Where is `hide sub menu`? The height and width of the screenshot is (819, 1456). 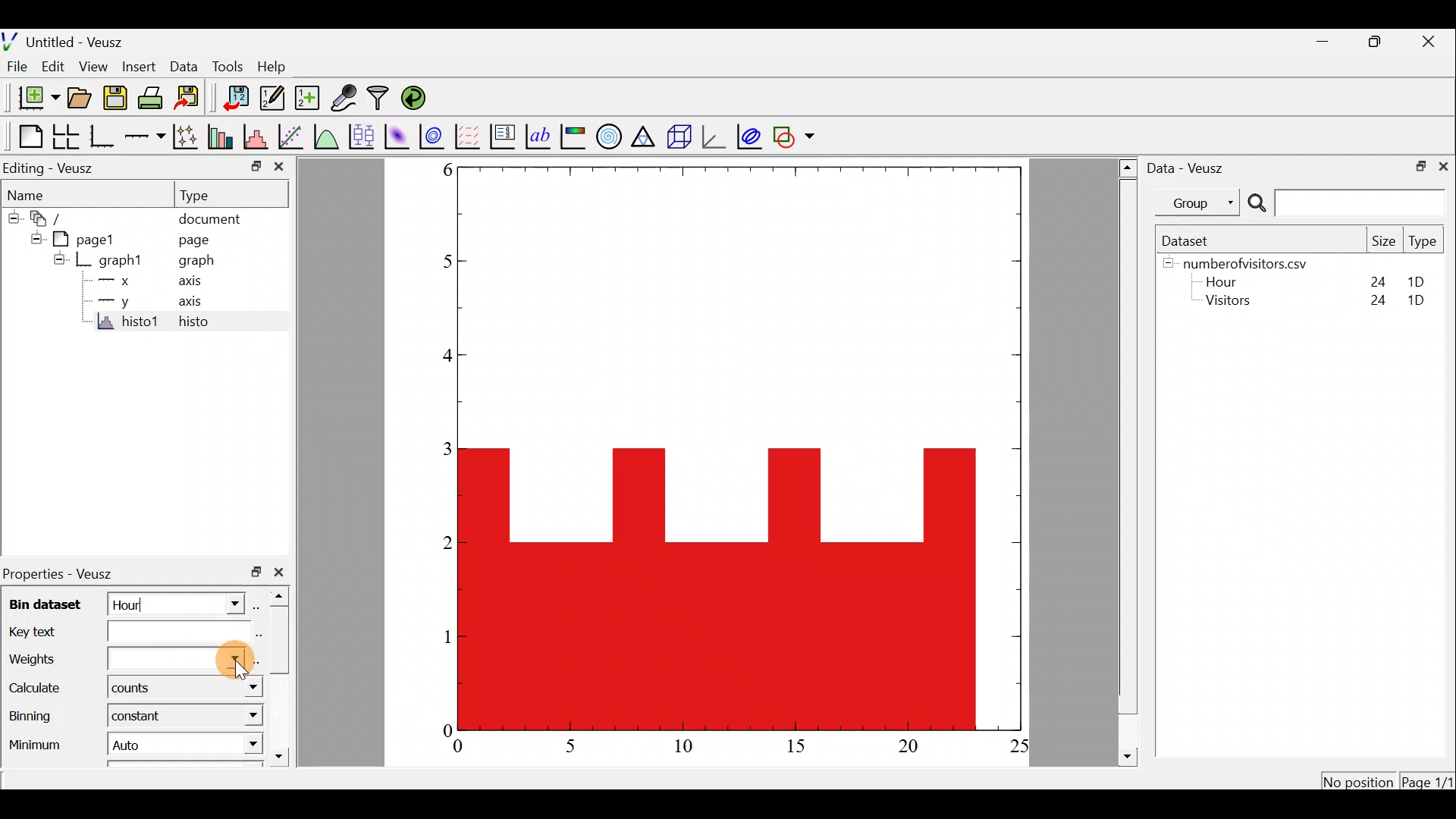
hide sub menu is located at coordinates (1166, 266).